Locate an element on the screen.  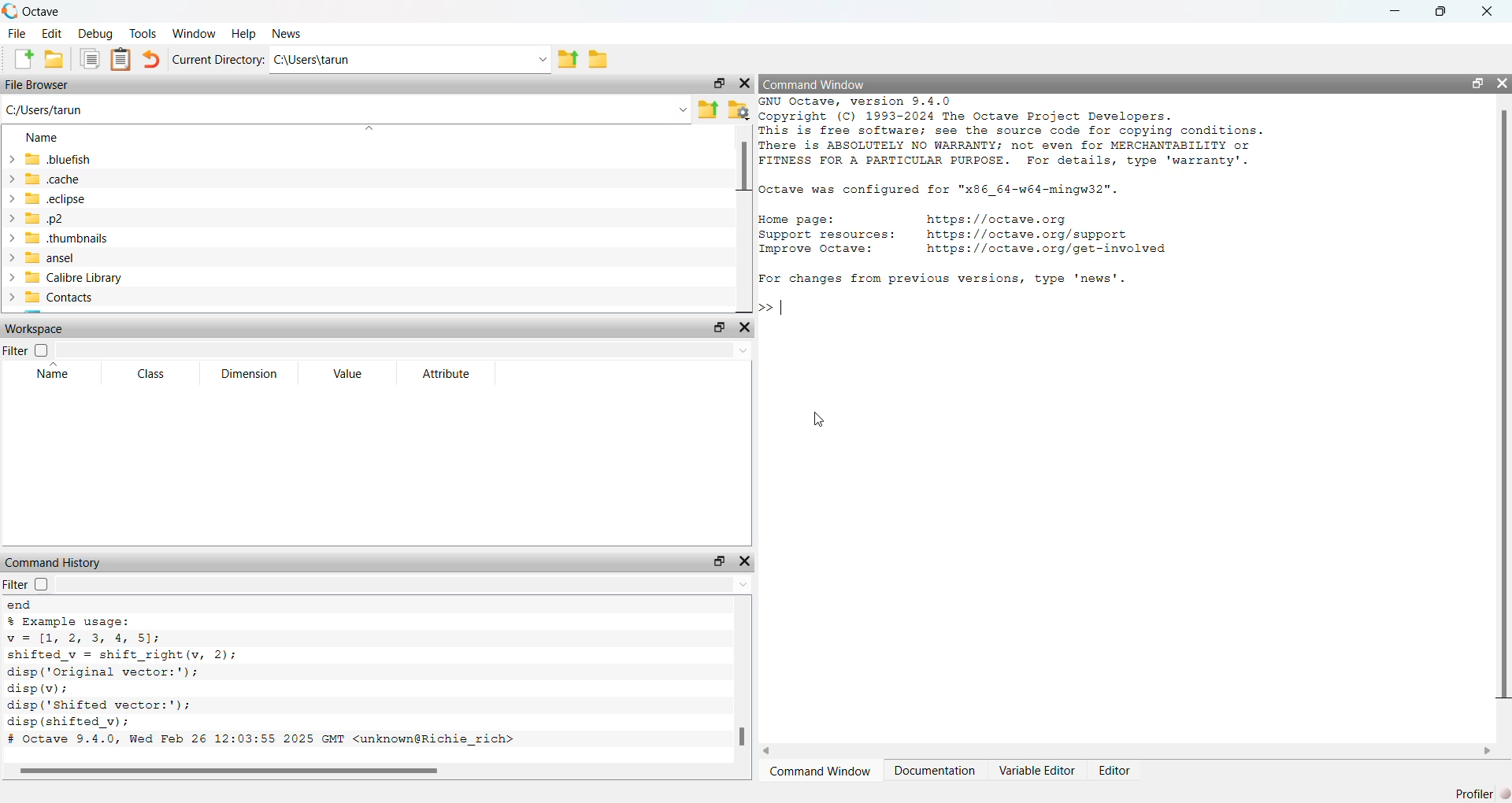
file browser is located at coordinates (46, 86).